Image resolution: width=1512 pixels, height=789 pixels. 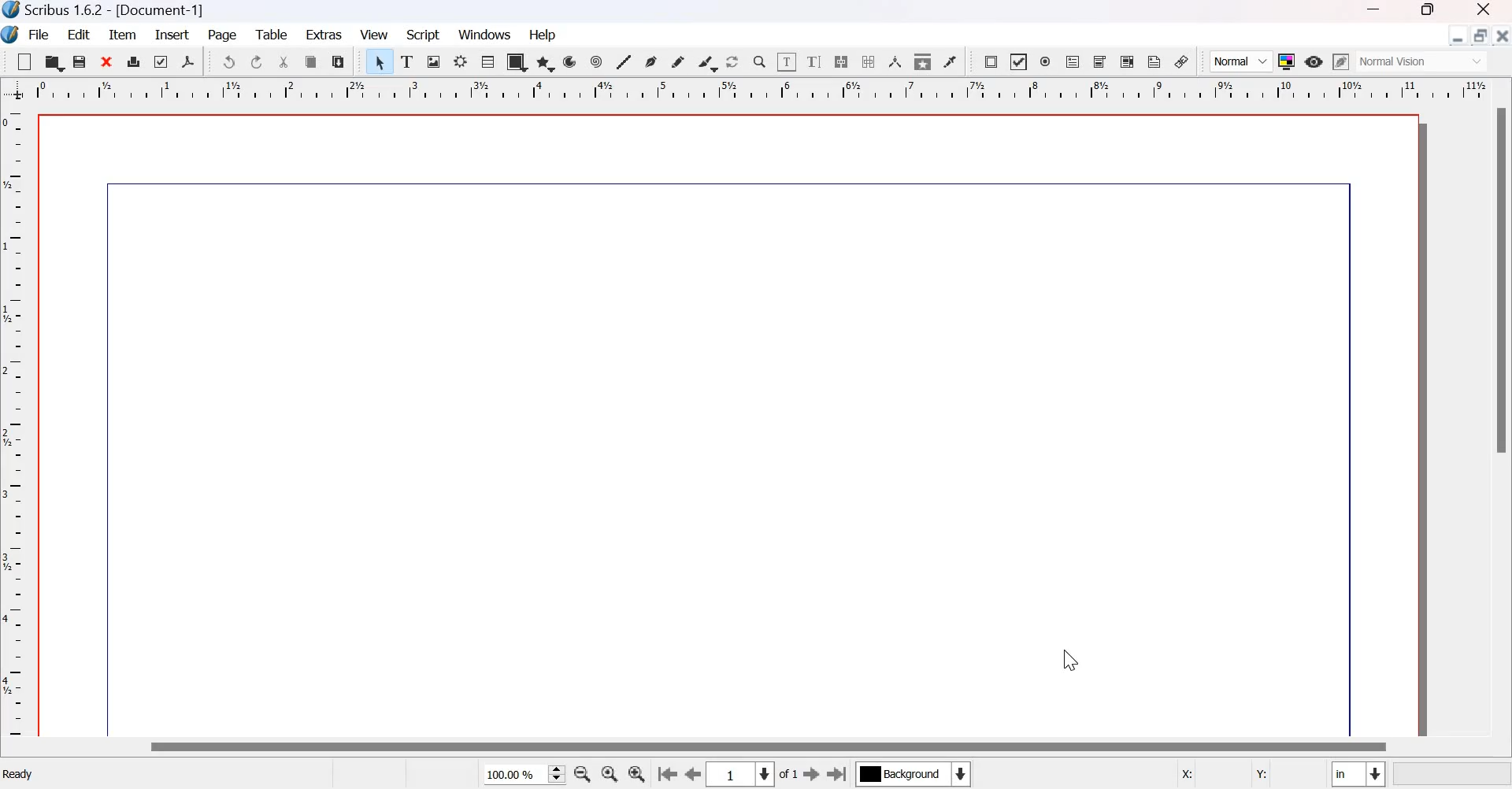 What do you see at coordinates (160, 61) in the screenshot?
I see `Preflight verifier` at bounding box center [160, 61].